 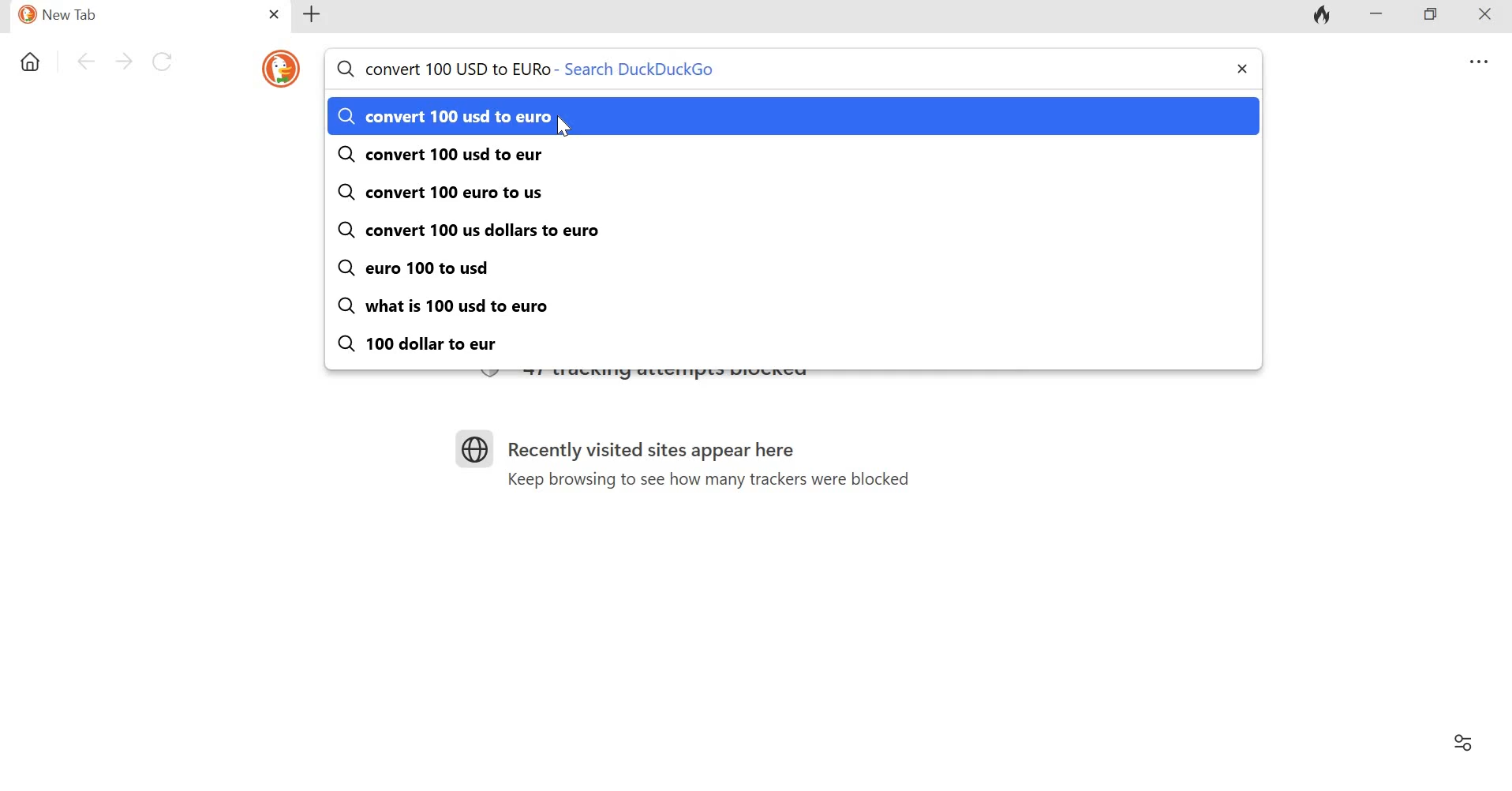 I want to click on convert 100 us dollars to euro, so click(x=470, y=230).